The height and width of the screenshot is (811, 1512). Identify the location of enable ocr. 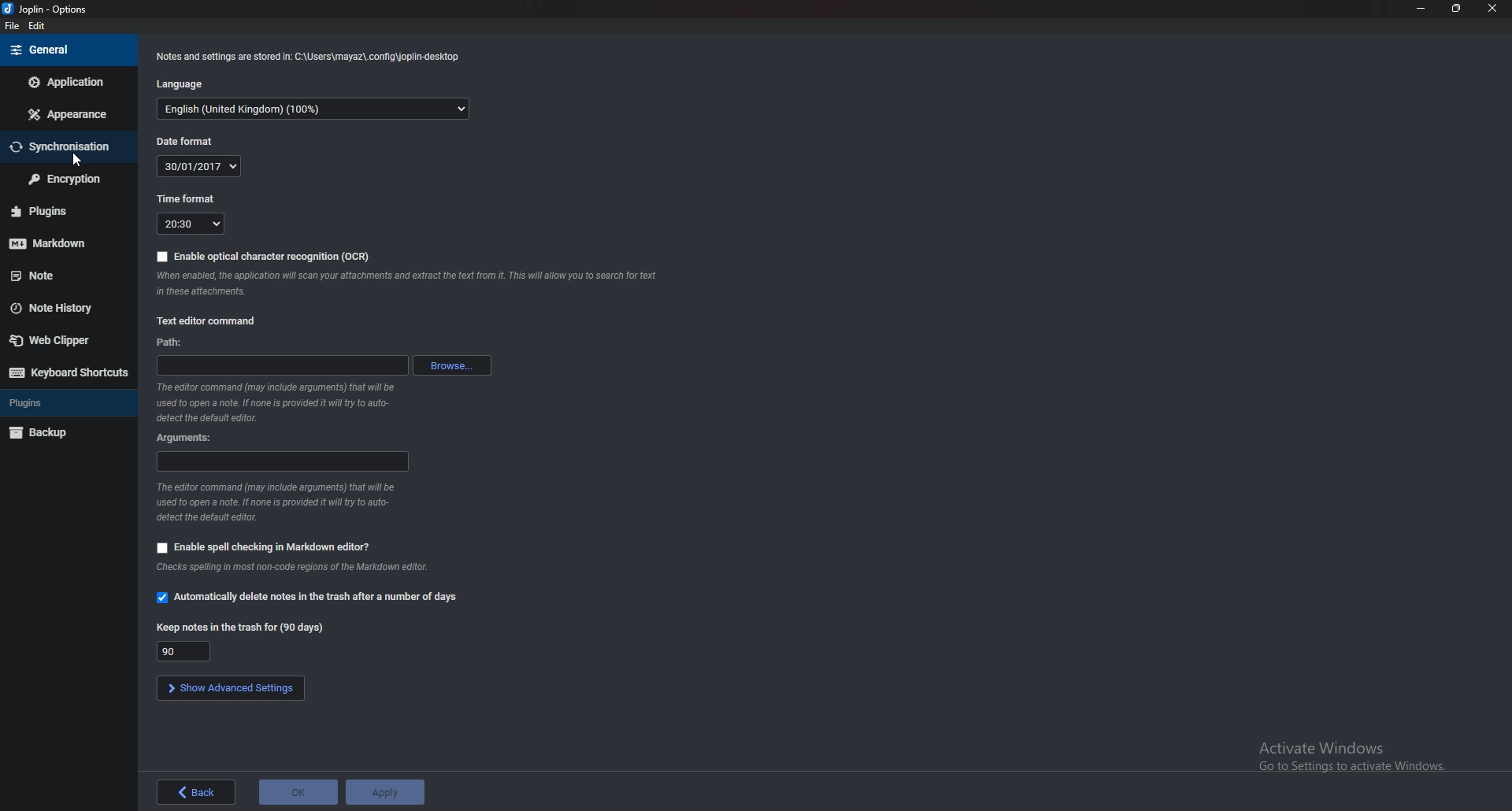
(263, 257).